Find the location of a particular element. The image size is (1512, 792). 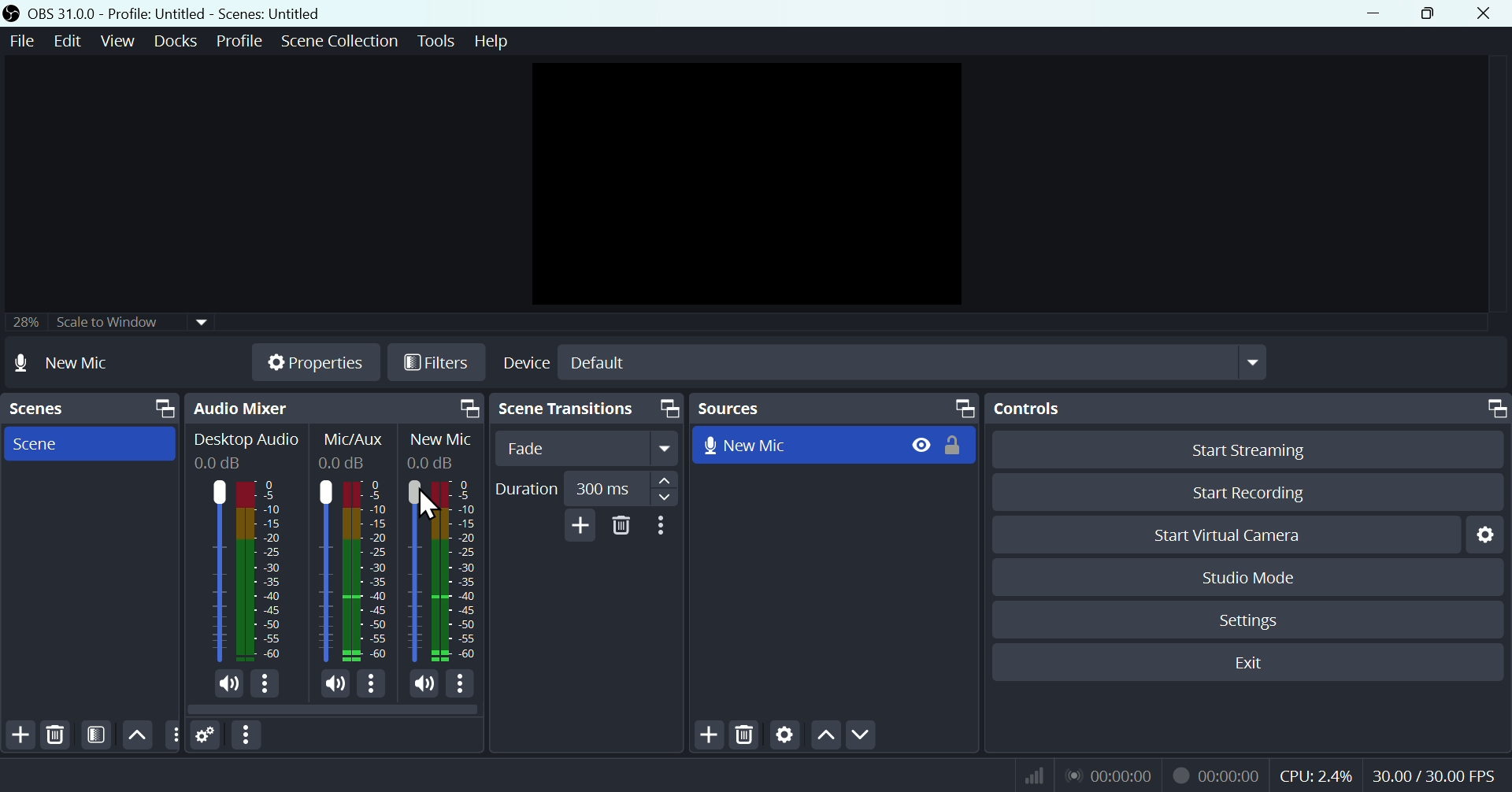

More options is located at coordinates (248, 735).